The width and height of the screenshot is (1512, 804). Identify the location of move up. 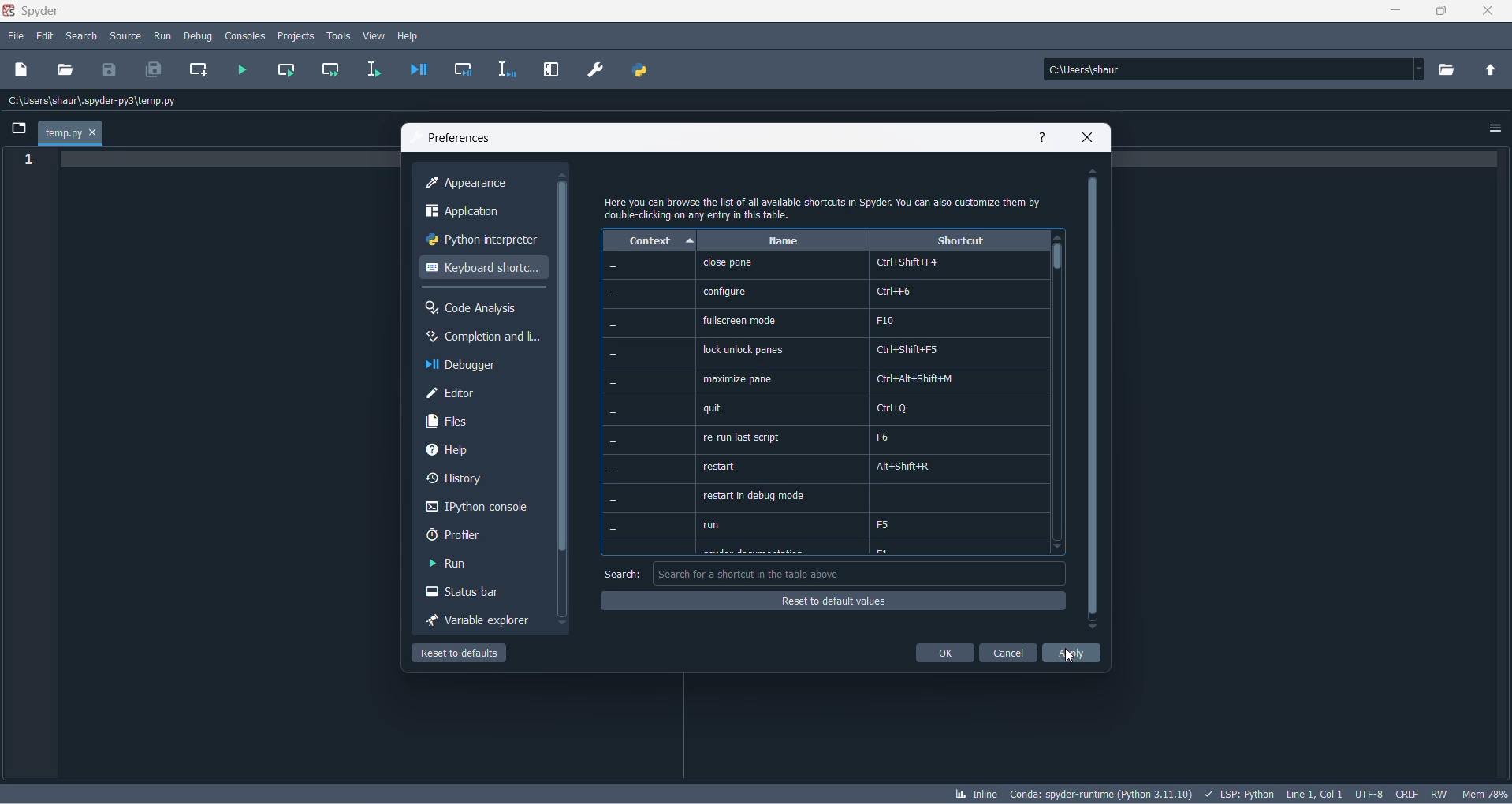
(1057, 237).